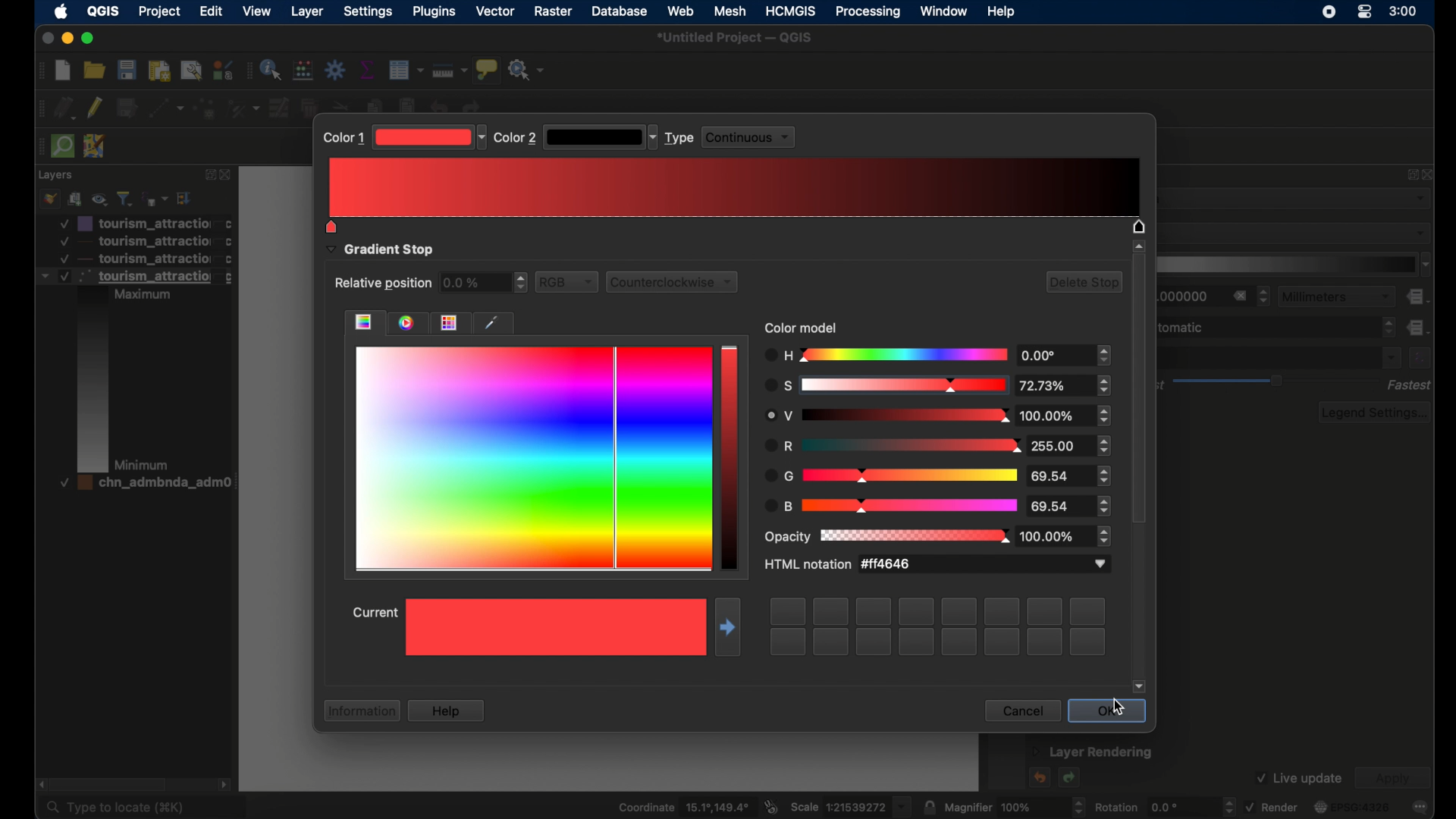 The width and height of the screenshot is (1456, 819). I want to click on canvas, so click(278, 450).